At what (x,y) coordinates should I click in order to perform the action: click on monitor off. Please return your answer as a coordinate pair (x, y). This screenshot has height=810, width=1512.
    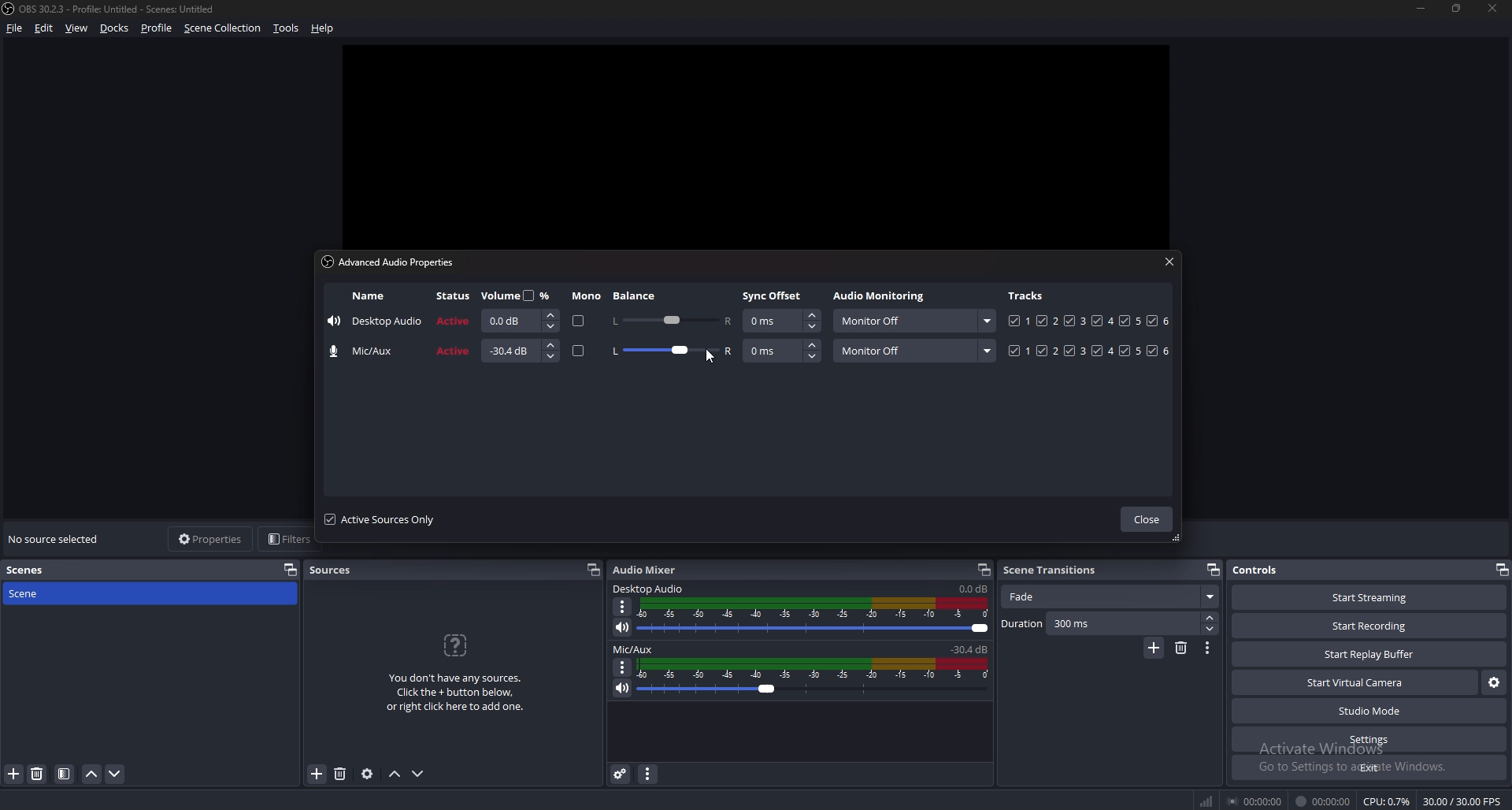
    Looking at the image, I should click on (913, 321).